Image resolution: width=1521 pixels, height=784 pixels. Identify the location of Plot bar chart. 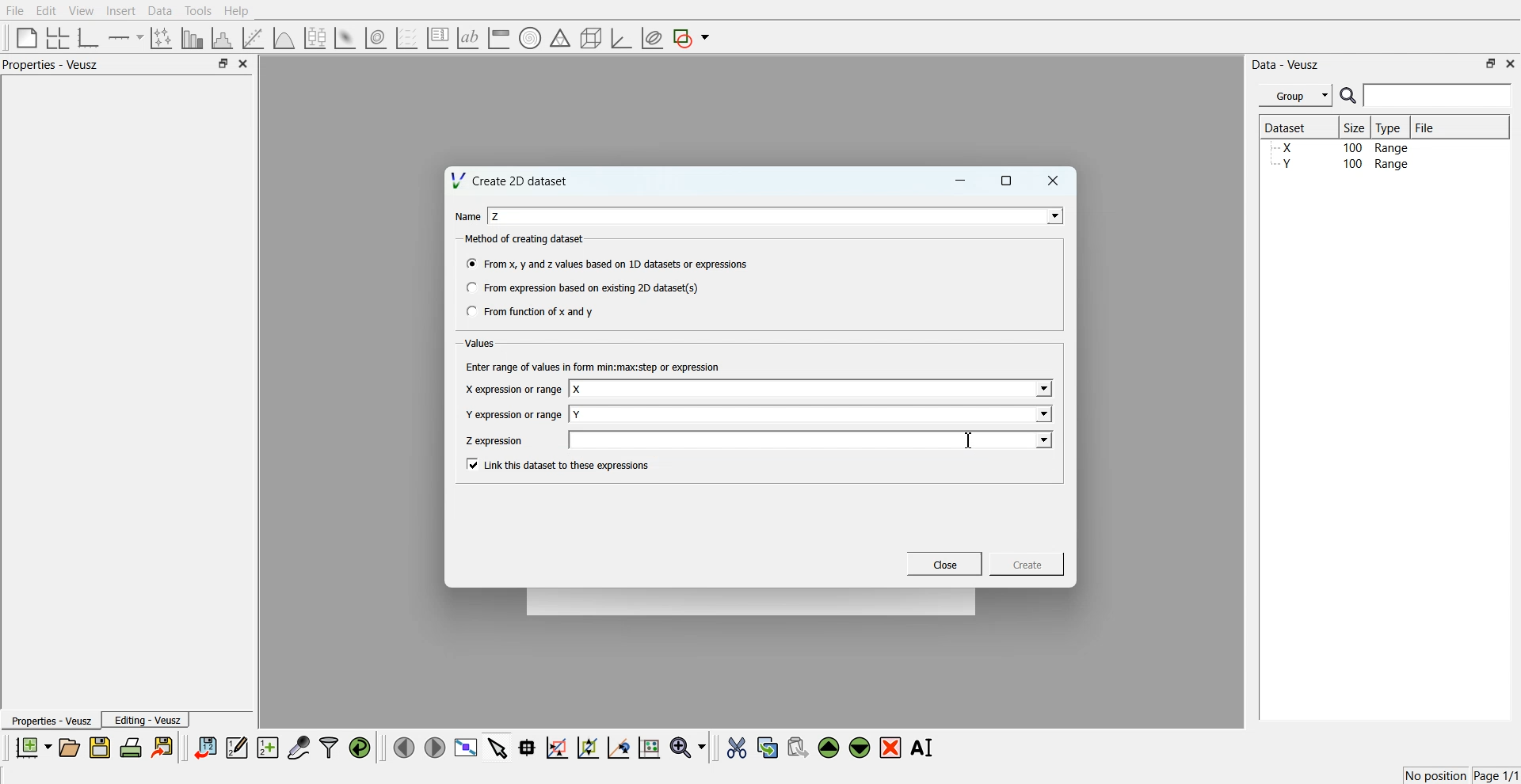
(192, 38).